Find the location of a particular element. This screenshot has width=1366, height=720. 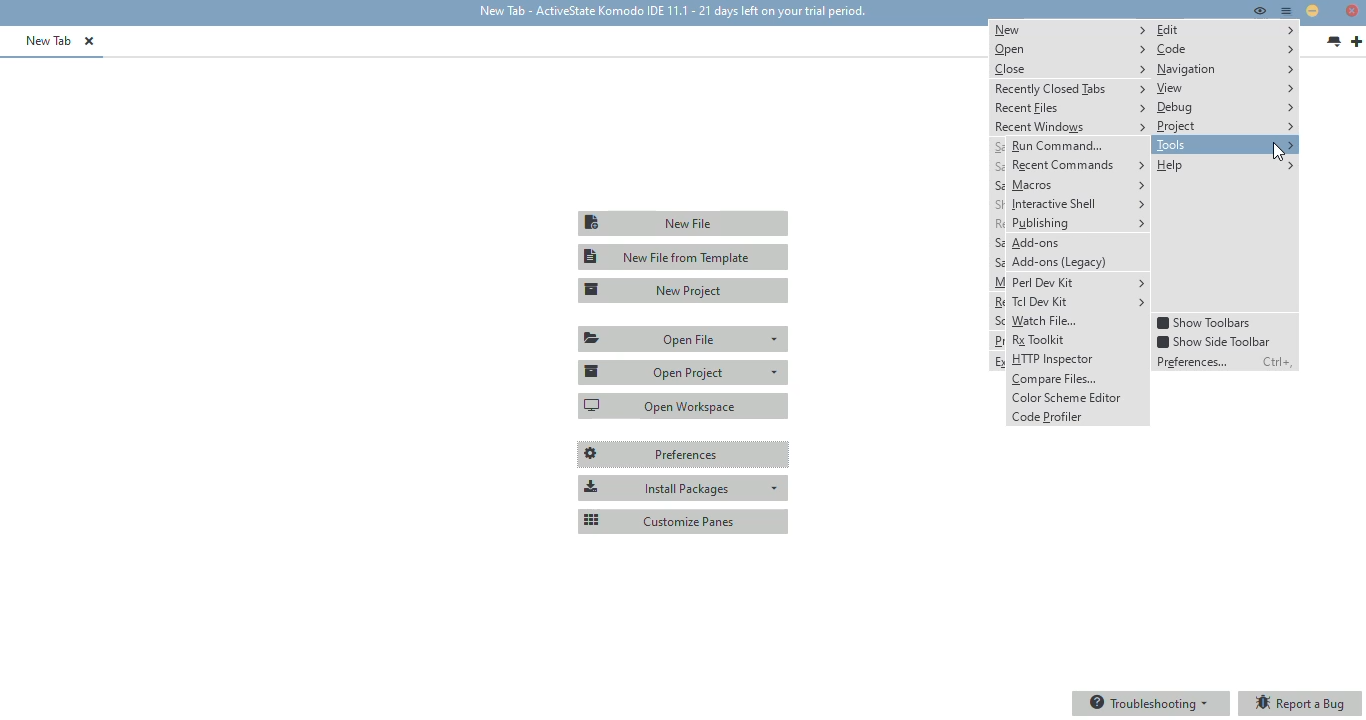

Close is located at coordinates (1351, 12).